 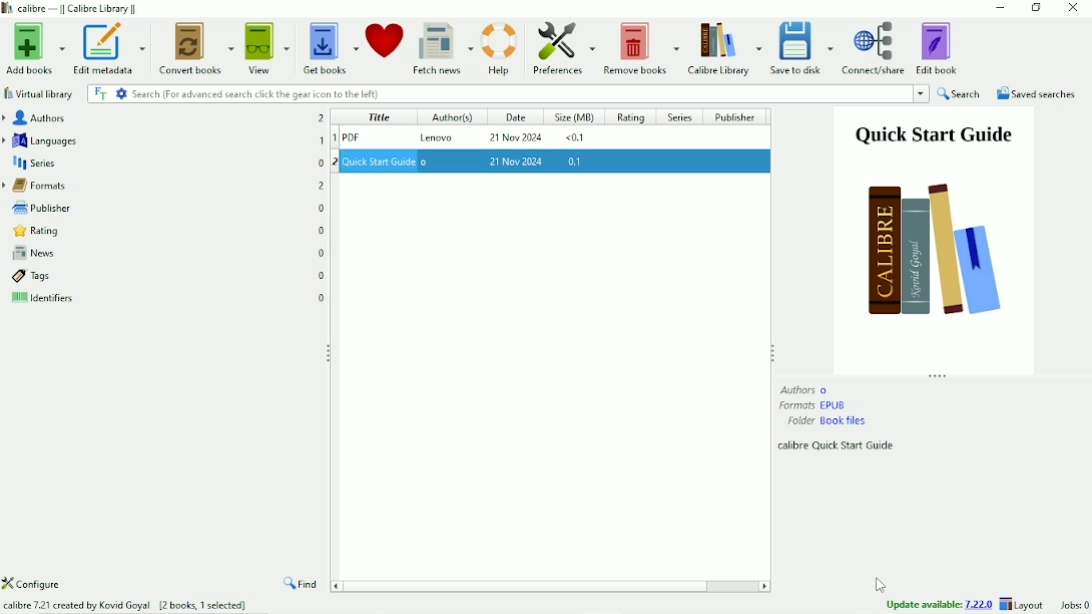 What do you see at coordinates (1072, 9) in the screenshot?
I see `Close` at bounding box center [1072, 9].